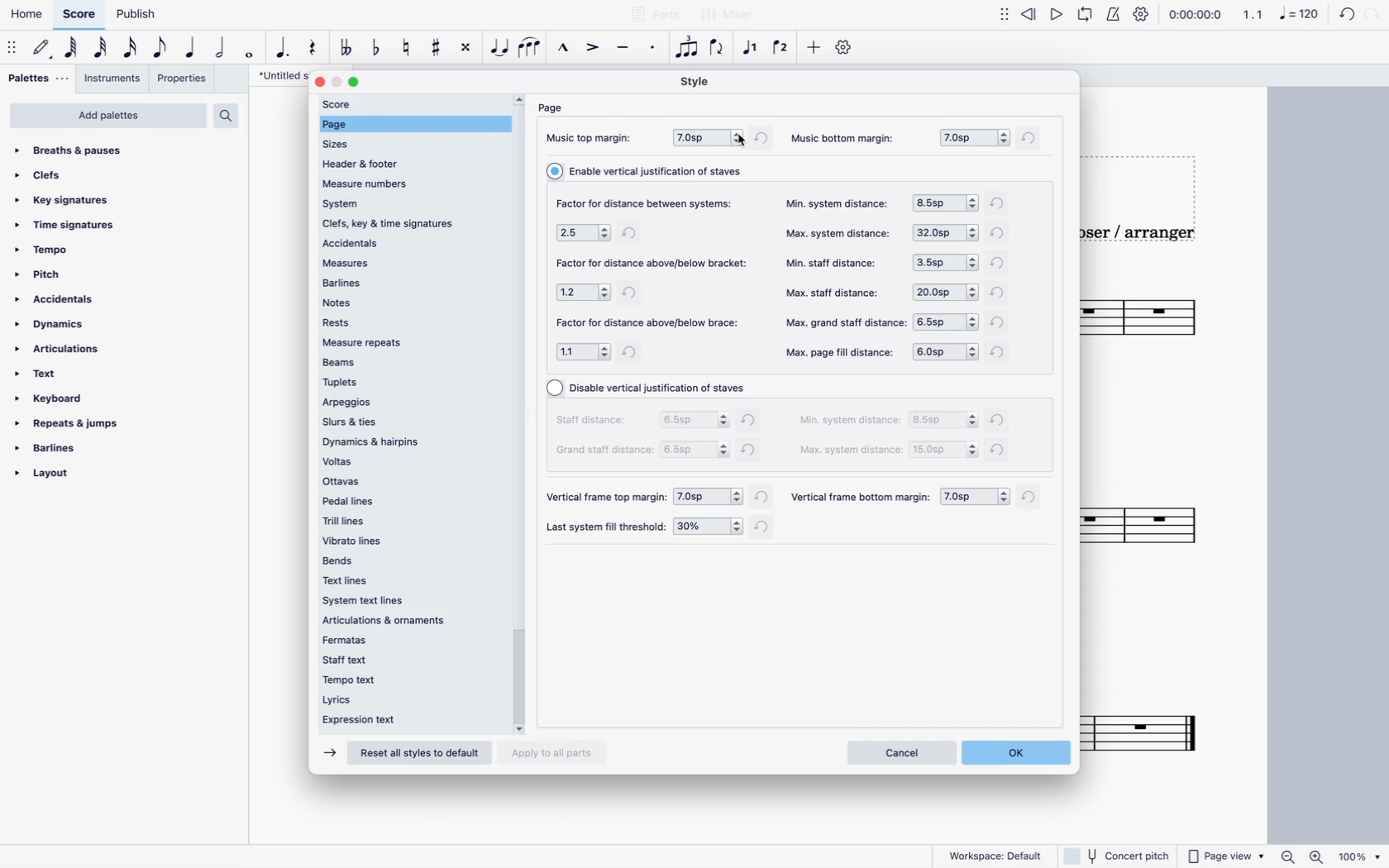 This screenshot has width=1389, height=868. I want to click on workspace, so click(998, 856).